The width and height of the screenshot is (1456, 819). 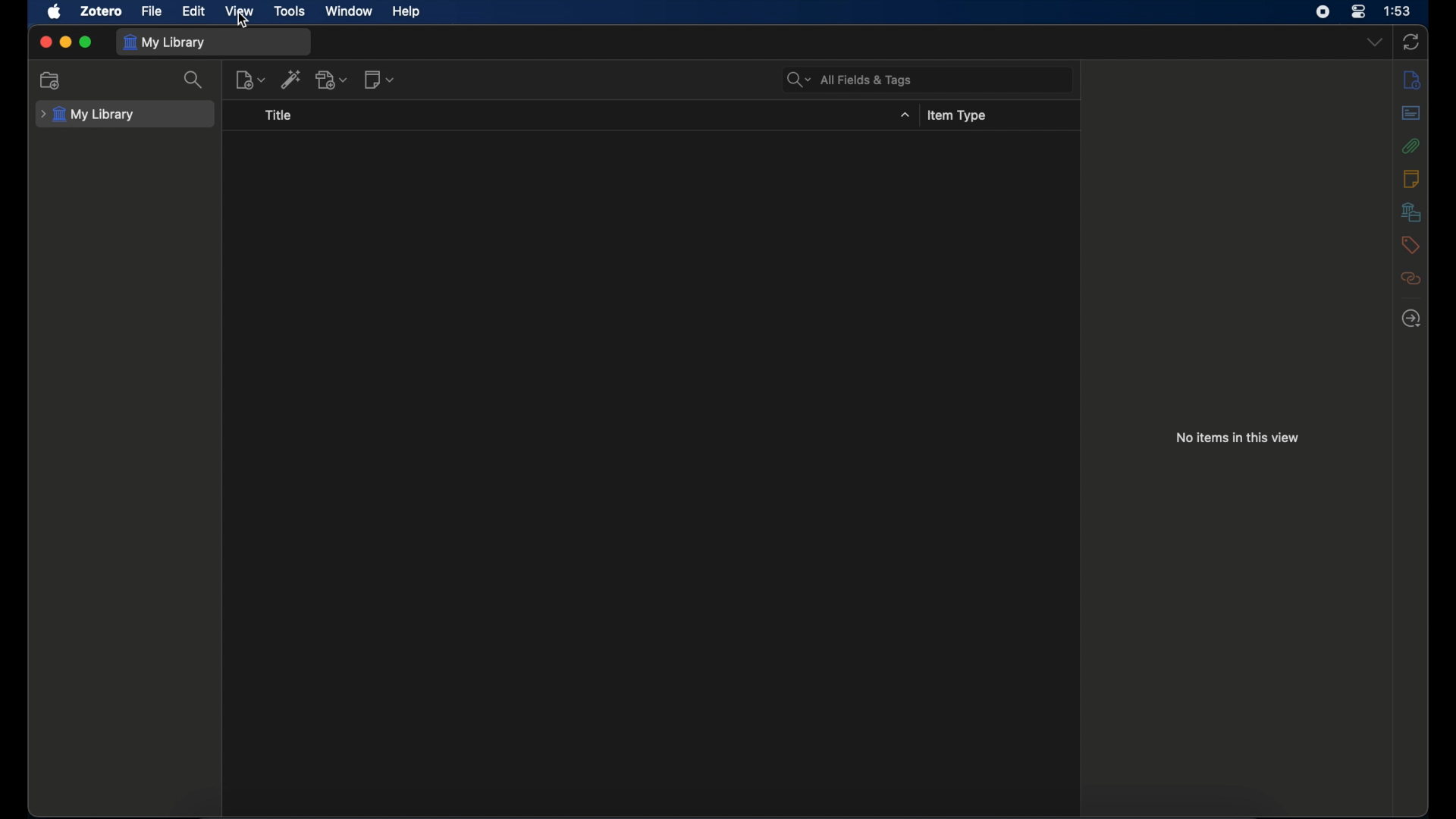 What do you see at coordinates (1410, 278) in the screenshot?
I see `related` at bounding box center [1410, 278].